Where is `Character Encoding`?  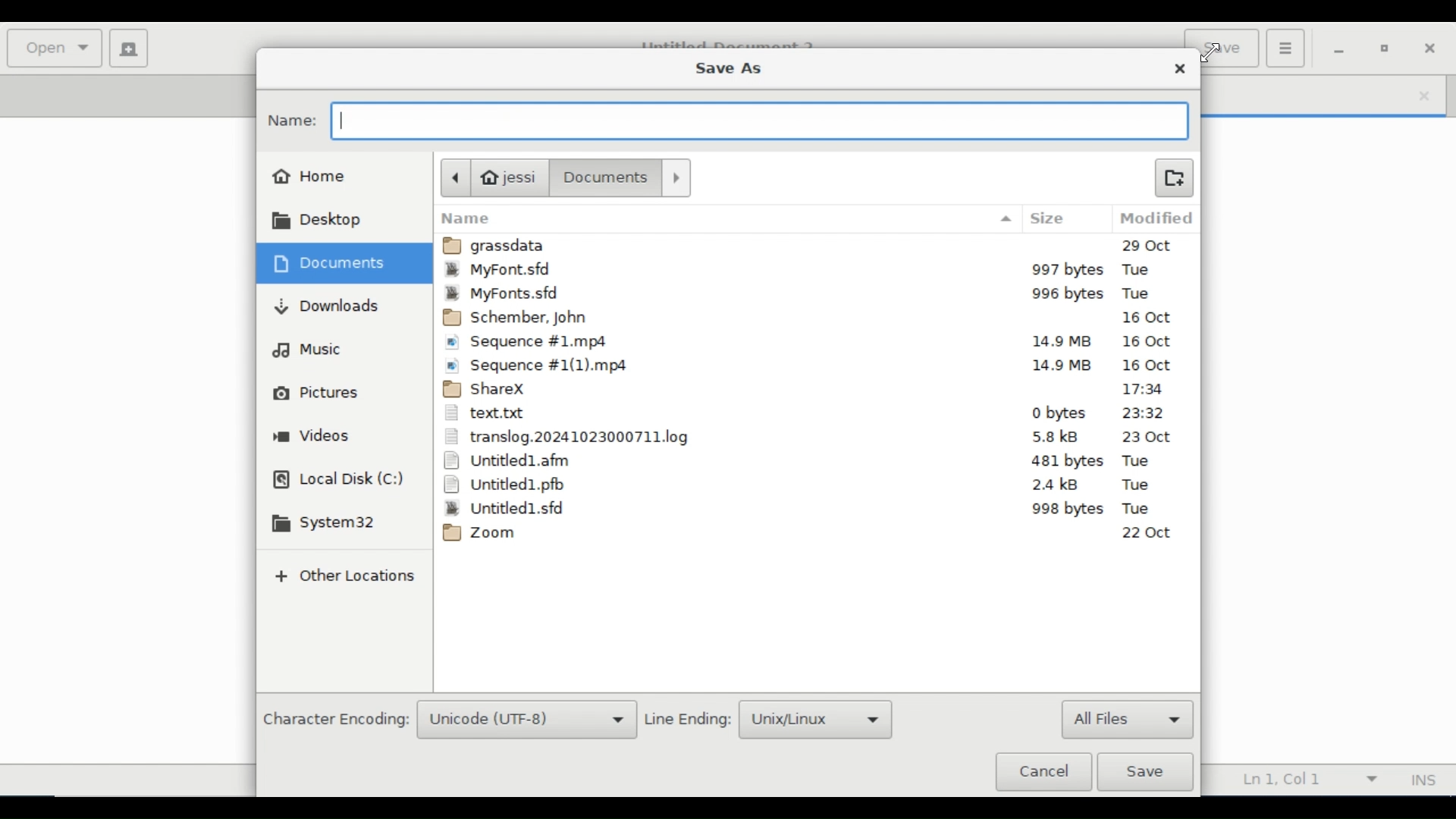 Character Encoding is located at coordinates (335, 717).